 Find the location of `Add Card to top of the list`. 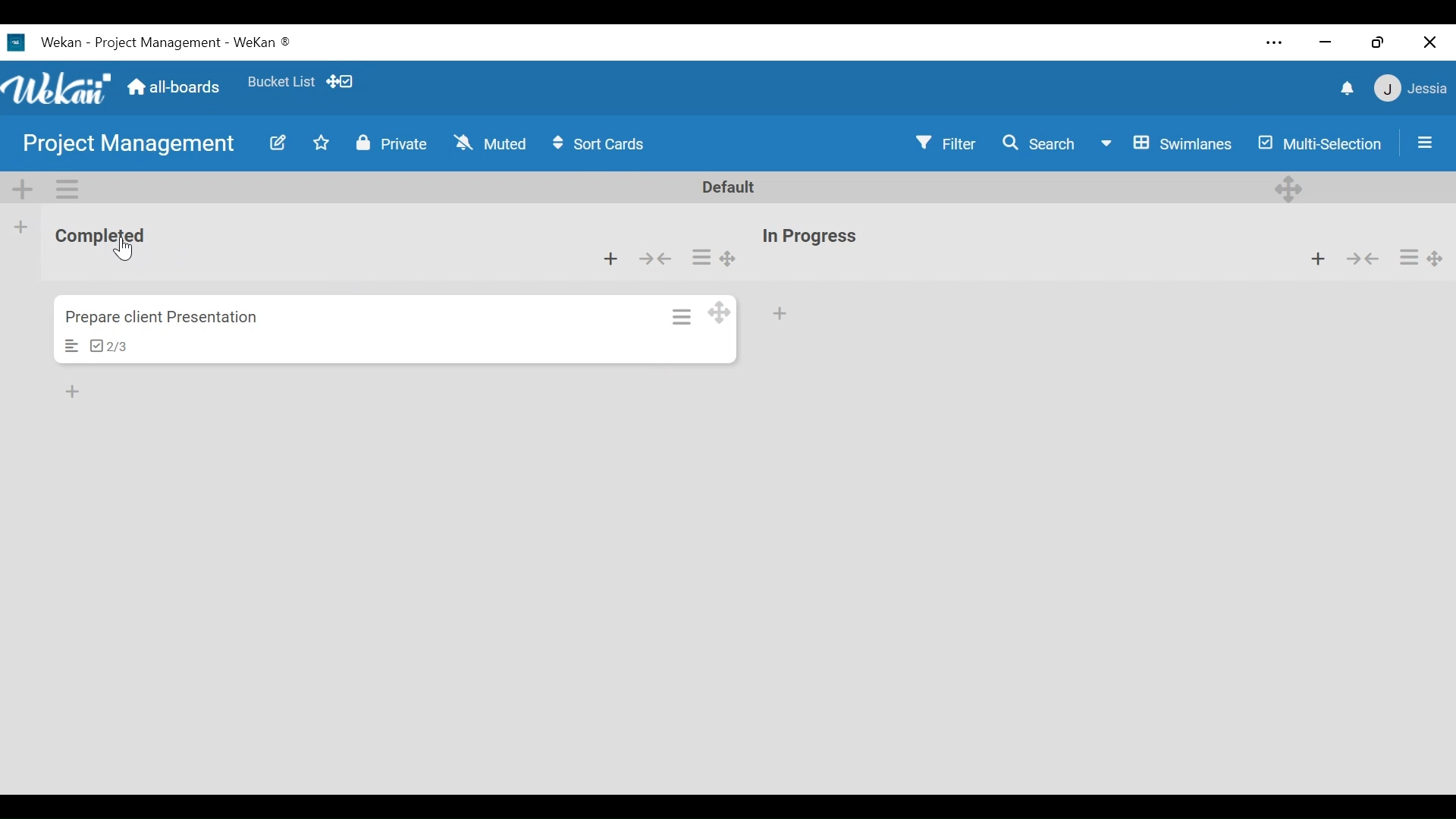

Add Card to top of the list is located at coordinates (612, 260).